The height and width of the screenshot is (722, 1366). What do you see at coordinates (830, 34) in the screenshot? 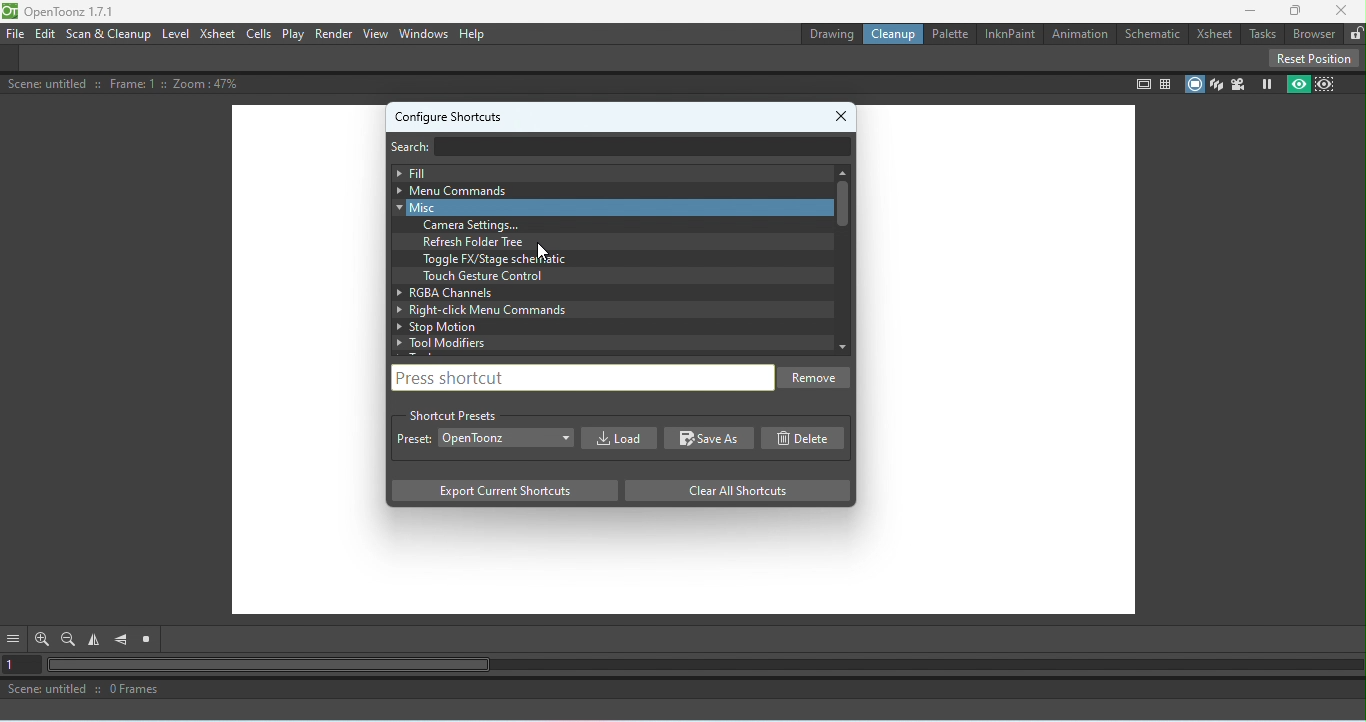
I see `Drawing` at bounding box center [830, 34].